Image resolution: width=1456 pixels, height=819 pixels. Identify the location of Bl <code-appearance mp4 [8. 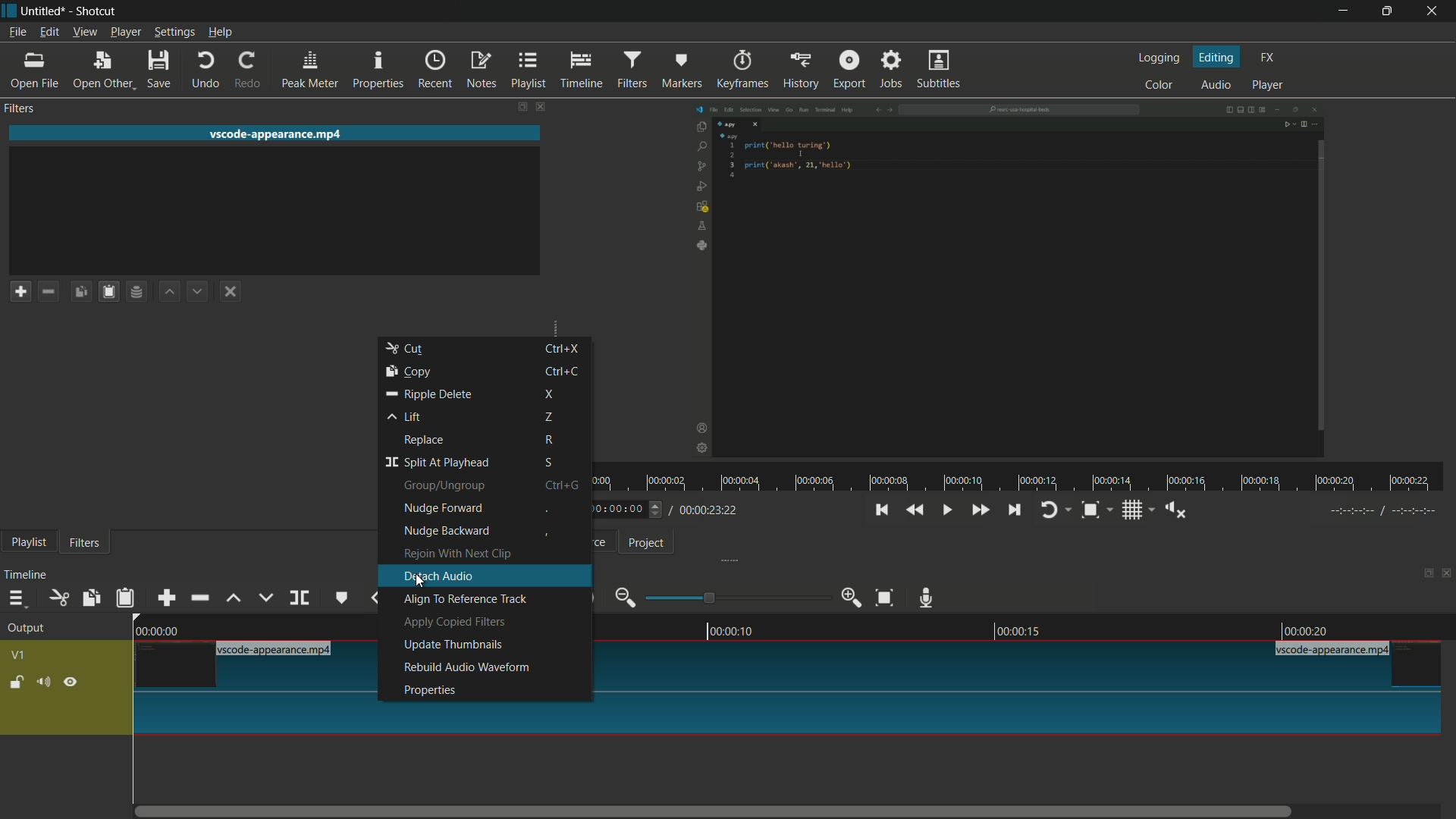
(278, 650).